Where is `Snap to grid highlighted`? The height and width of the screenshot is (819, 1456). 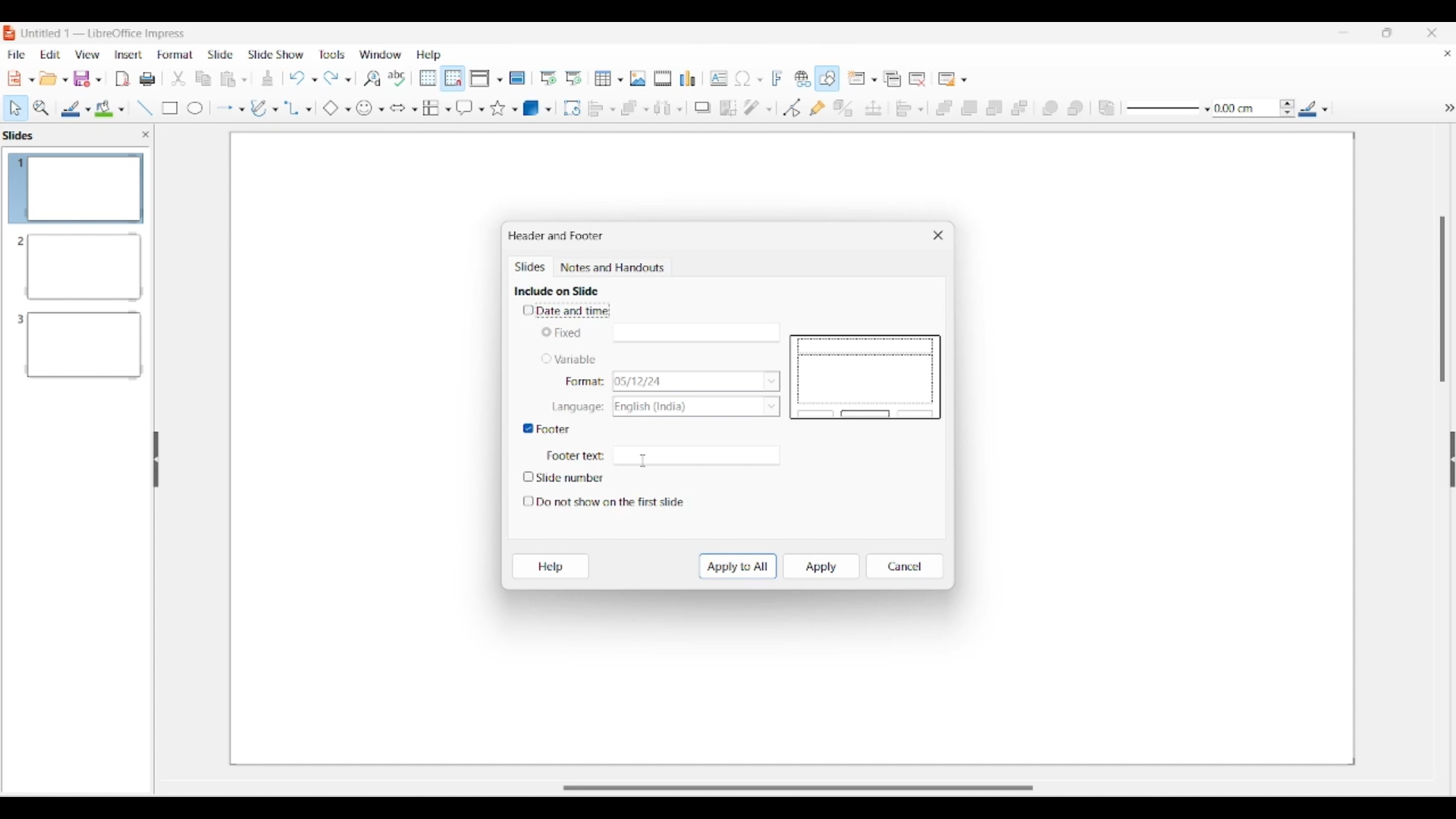
Snap to grid highlighted is located at coordinates (453, 79).